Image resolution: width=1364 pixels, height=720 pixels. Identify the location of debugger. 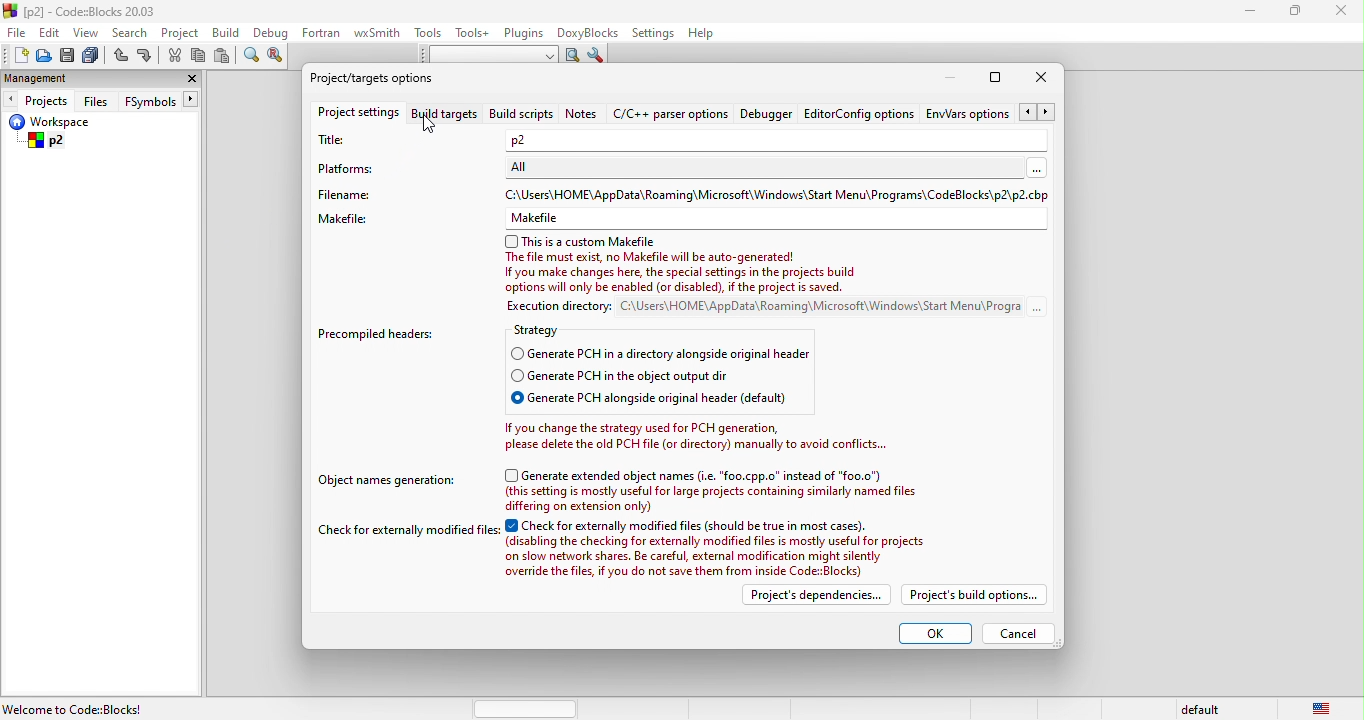
(768, 113).